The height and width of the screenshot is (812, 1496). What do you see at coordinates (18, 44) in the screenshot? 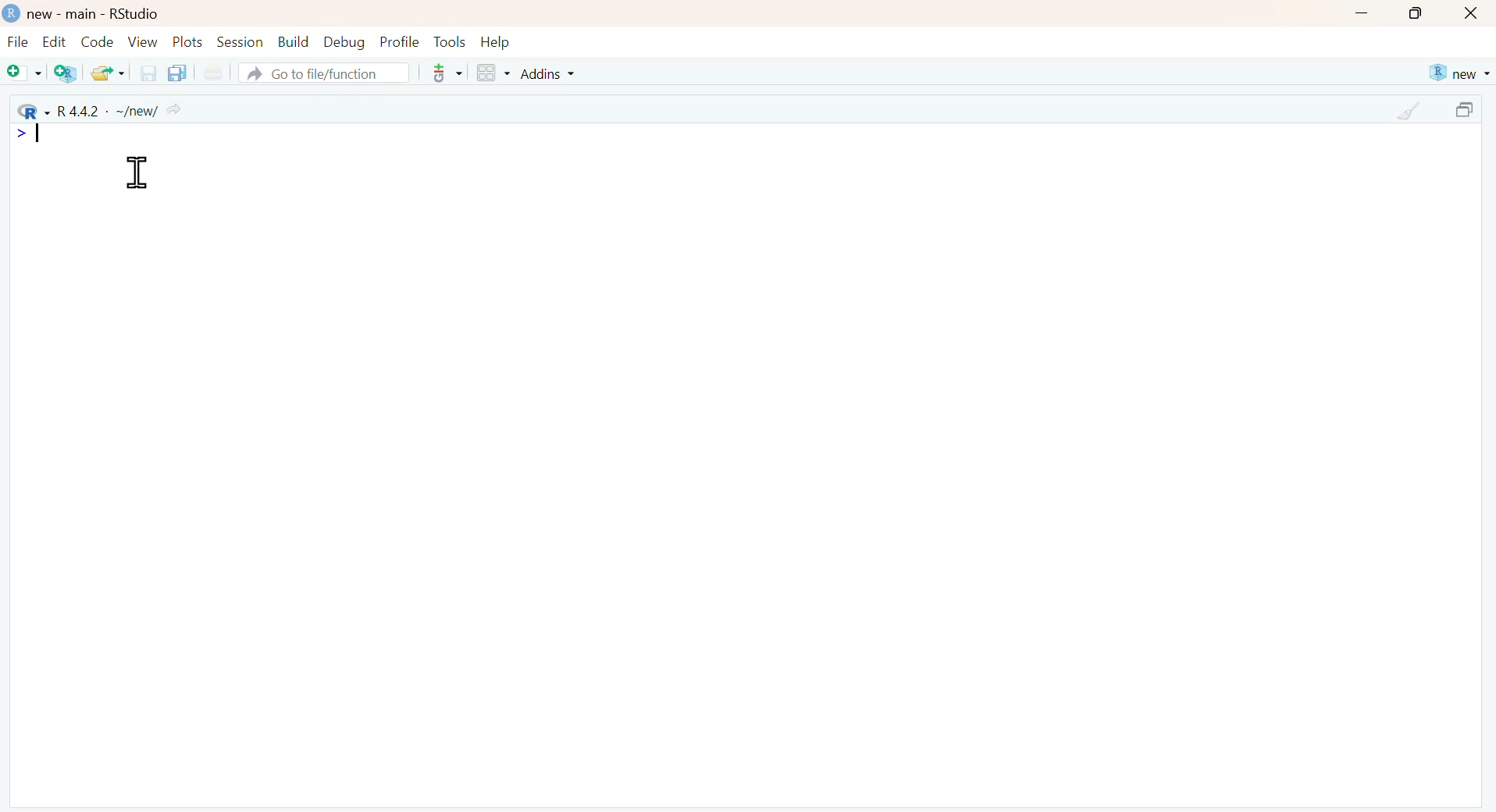
I see `File` at bounding box center [18, 44].